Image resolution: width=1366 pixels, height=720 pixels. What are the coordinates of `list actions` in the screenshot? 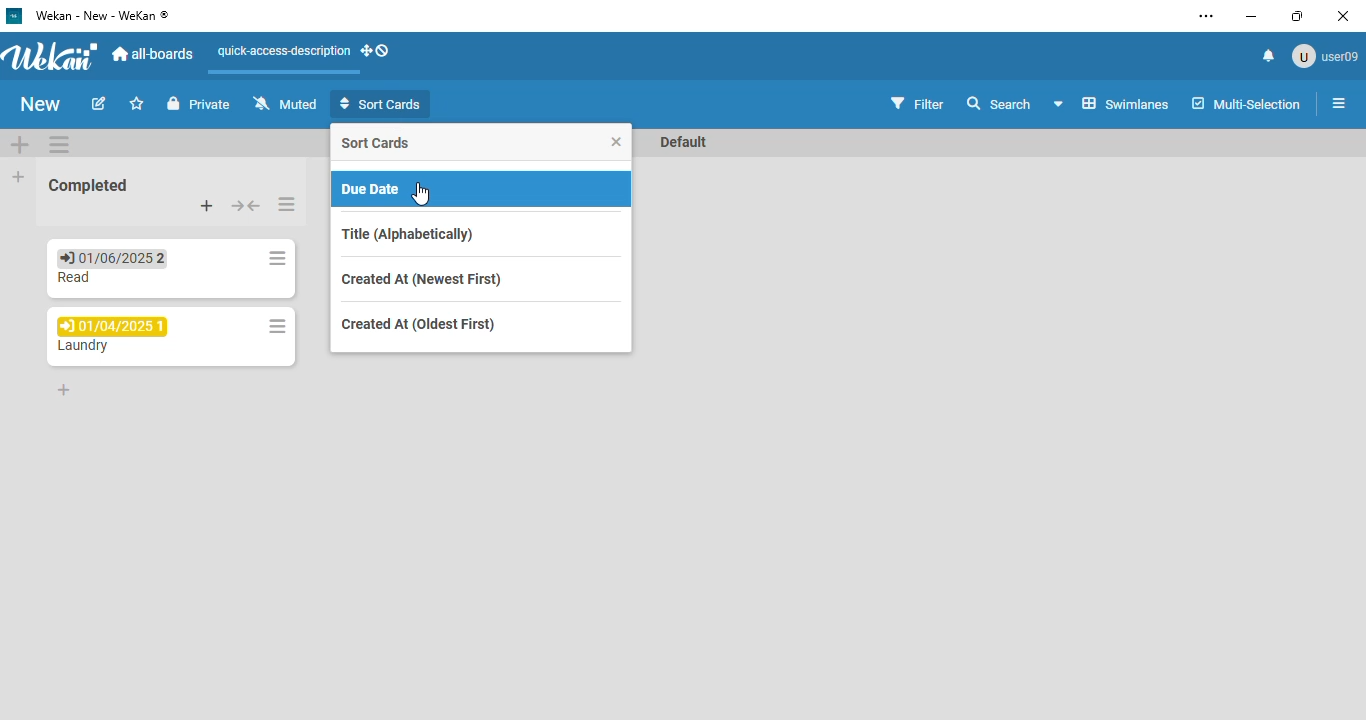 It's located at (273, 326).